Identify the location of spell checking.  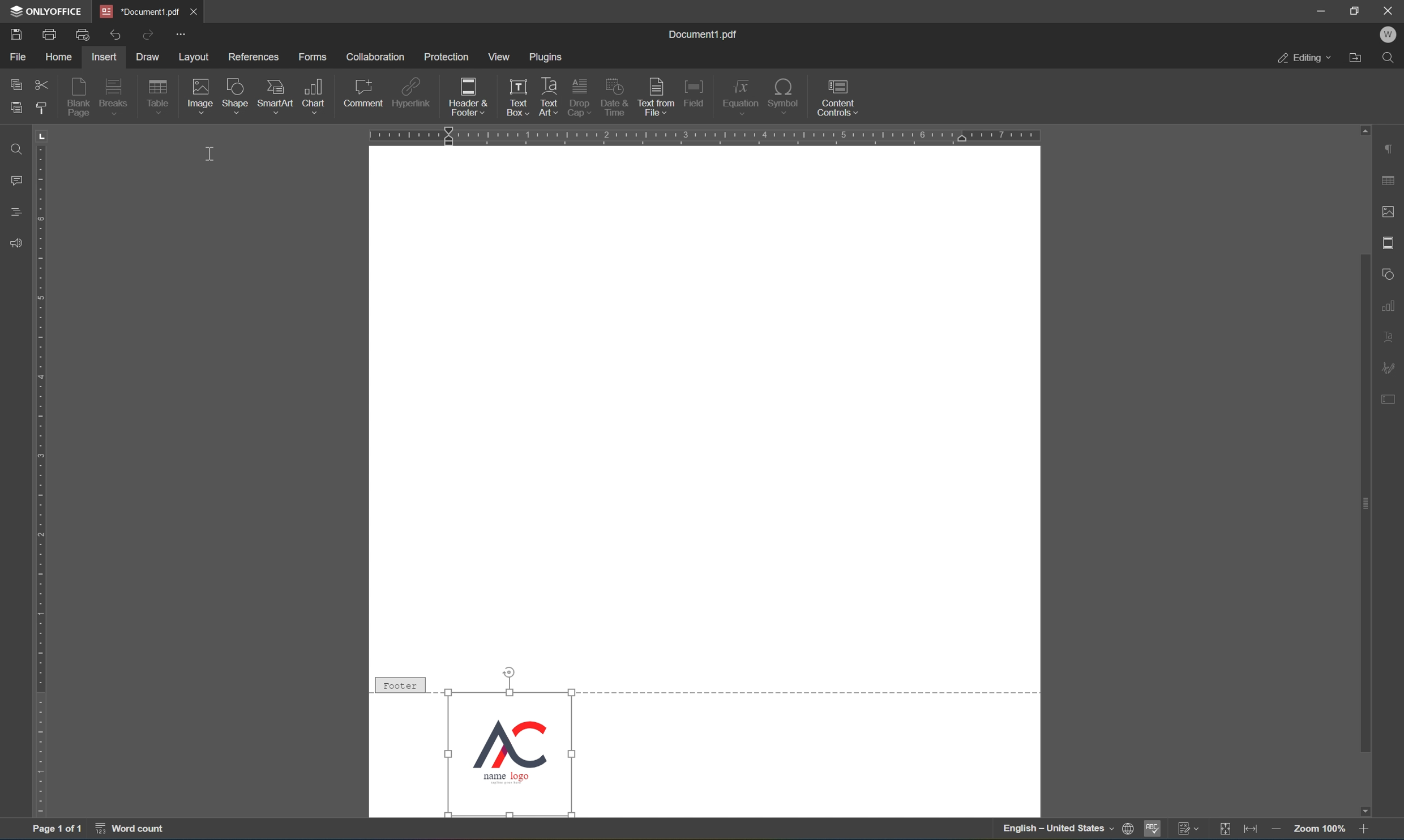
(1152, 830).